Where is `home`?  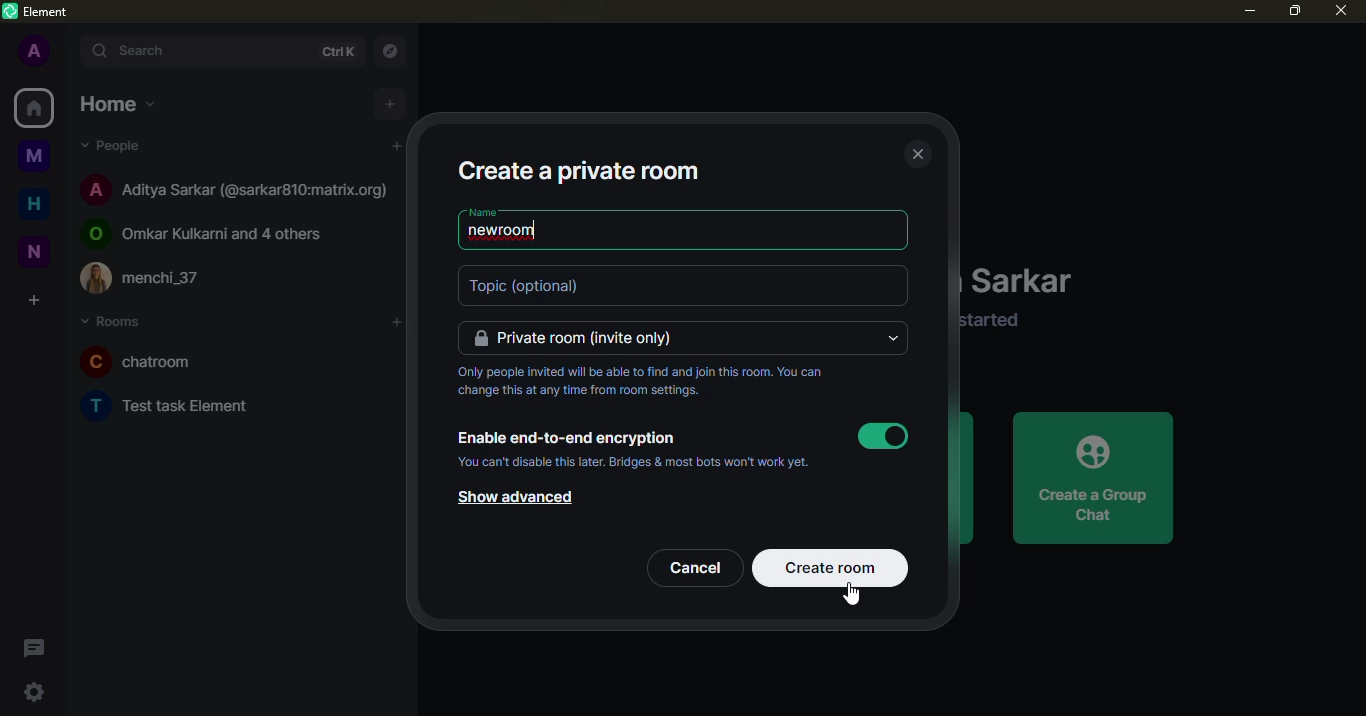 home is located at coordinates (35, 204).